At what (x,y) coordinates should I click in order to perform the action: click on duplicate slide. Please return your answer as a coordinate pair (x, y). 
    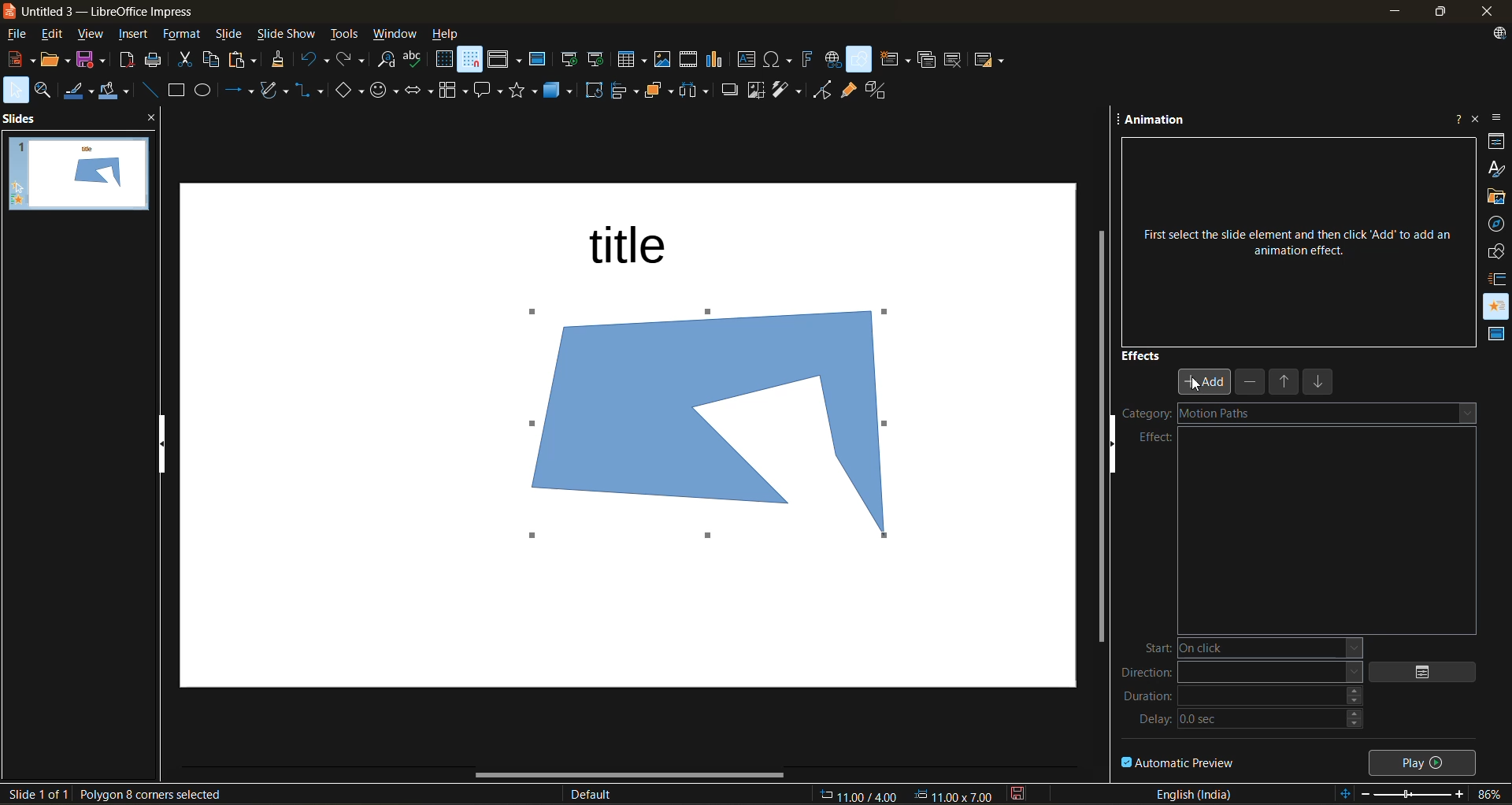
    Looking at the image, I should click on (927, 60).